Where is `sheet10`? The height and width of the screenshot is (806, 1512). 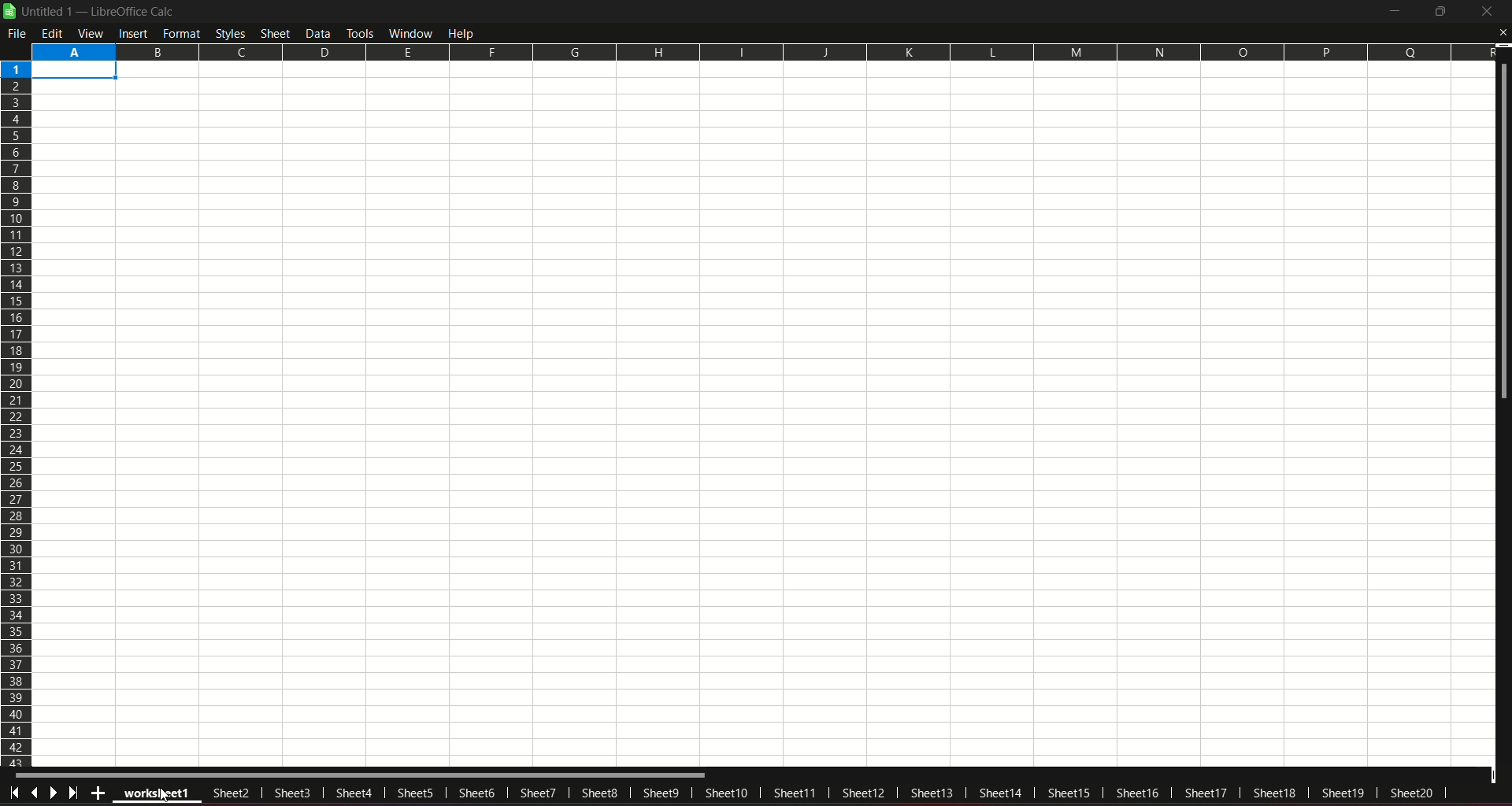 sheet10 is located at coordinates (725, 792).